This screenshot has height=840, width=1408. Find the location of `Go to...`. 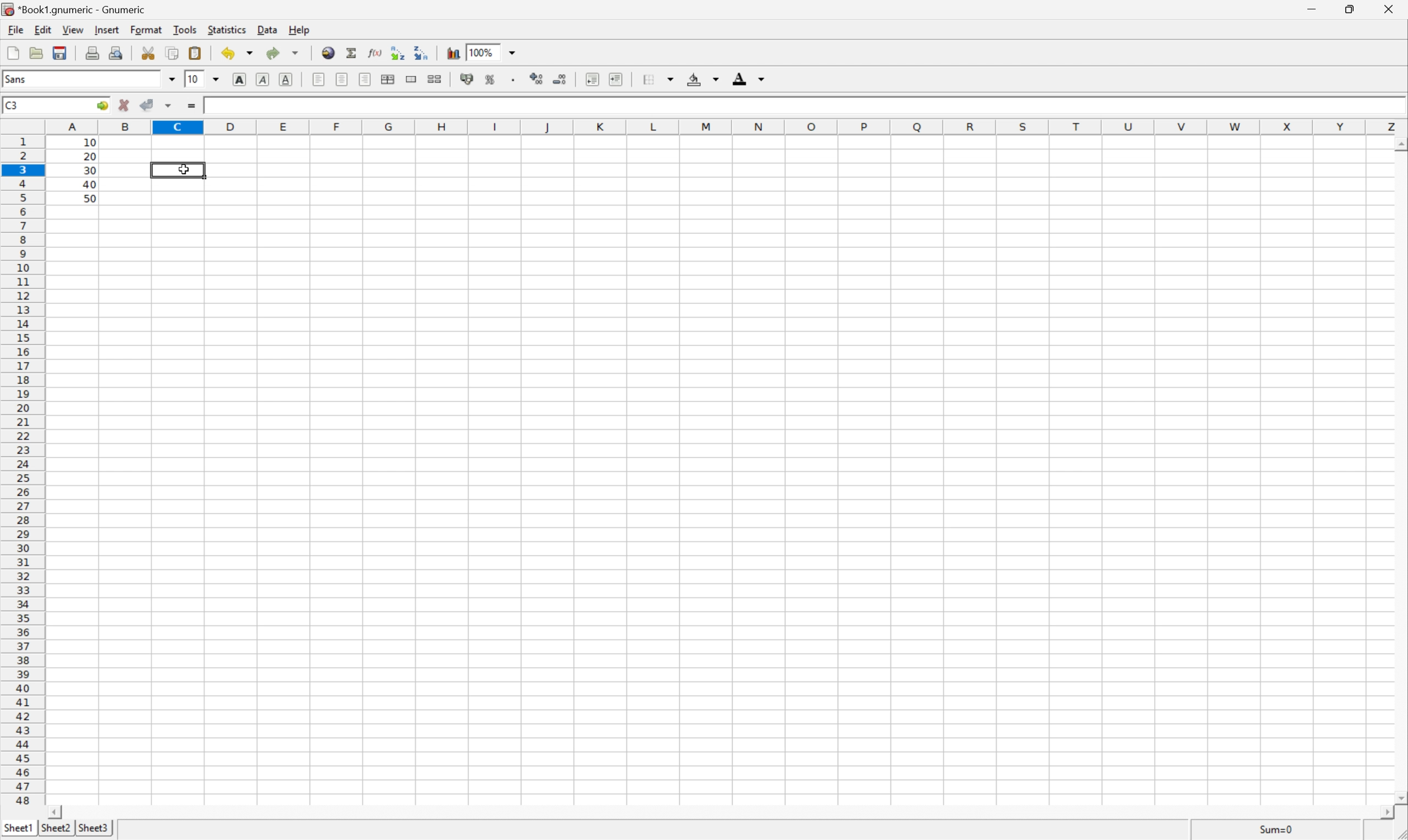

Go to... is located at coordinates (101, 106).